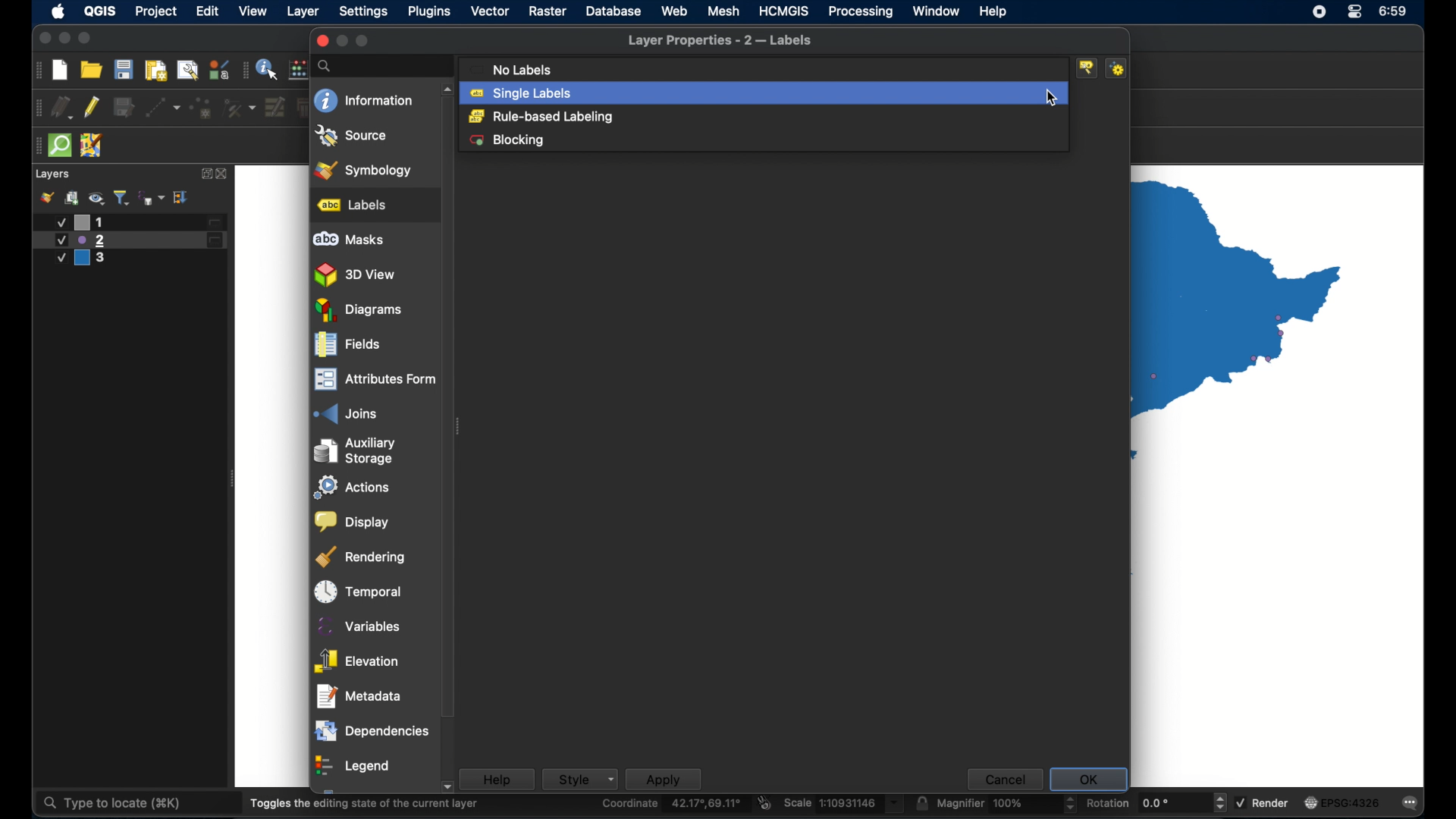 This screenshot has height=819, width=1456. What do you see at coordinates (720, 41) in the screenshot?
I see `layer proeprties - 2 labels` at bounding box center [720, 41].